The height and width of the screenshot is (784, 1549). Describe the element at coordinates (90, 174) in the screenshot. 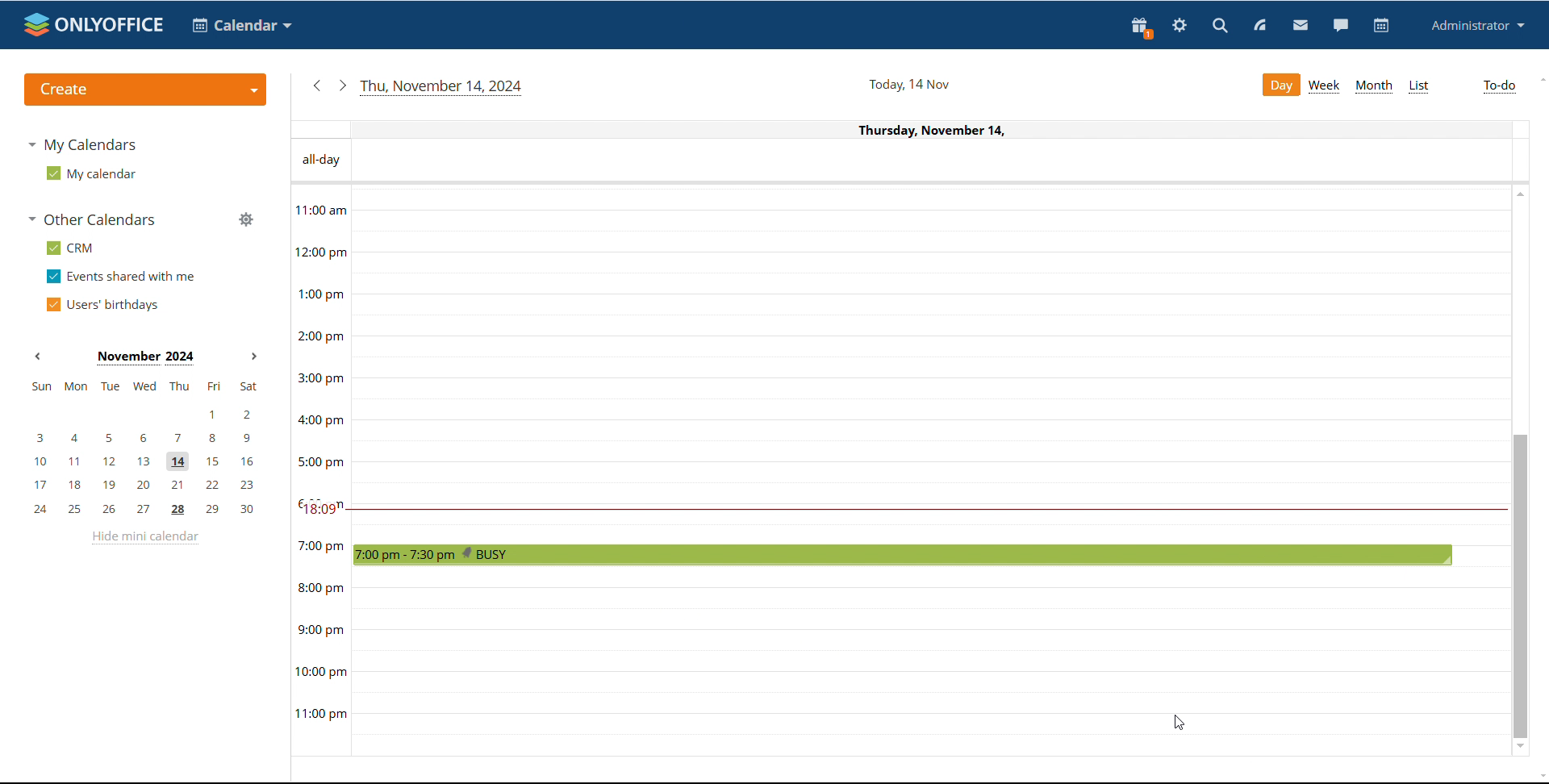

I see `my calendar` at that location.